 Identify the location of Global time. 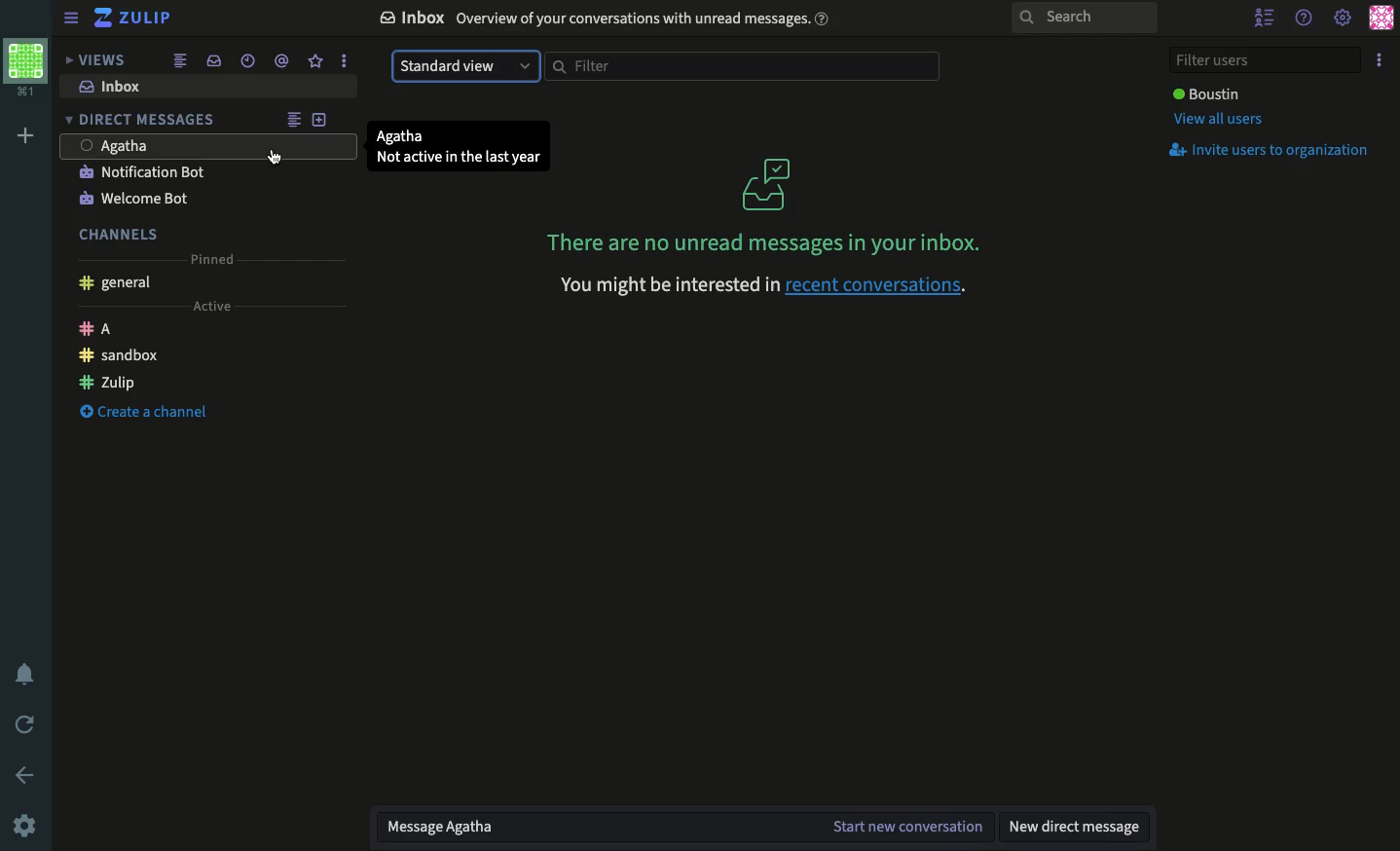
(248, 63).